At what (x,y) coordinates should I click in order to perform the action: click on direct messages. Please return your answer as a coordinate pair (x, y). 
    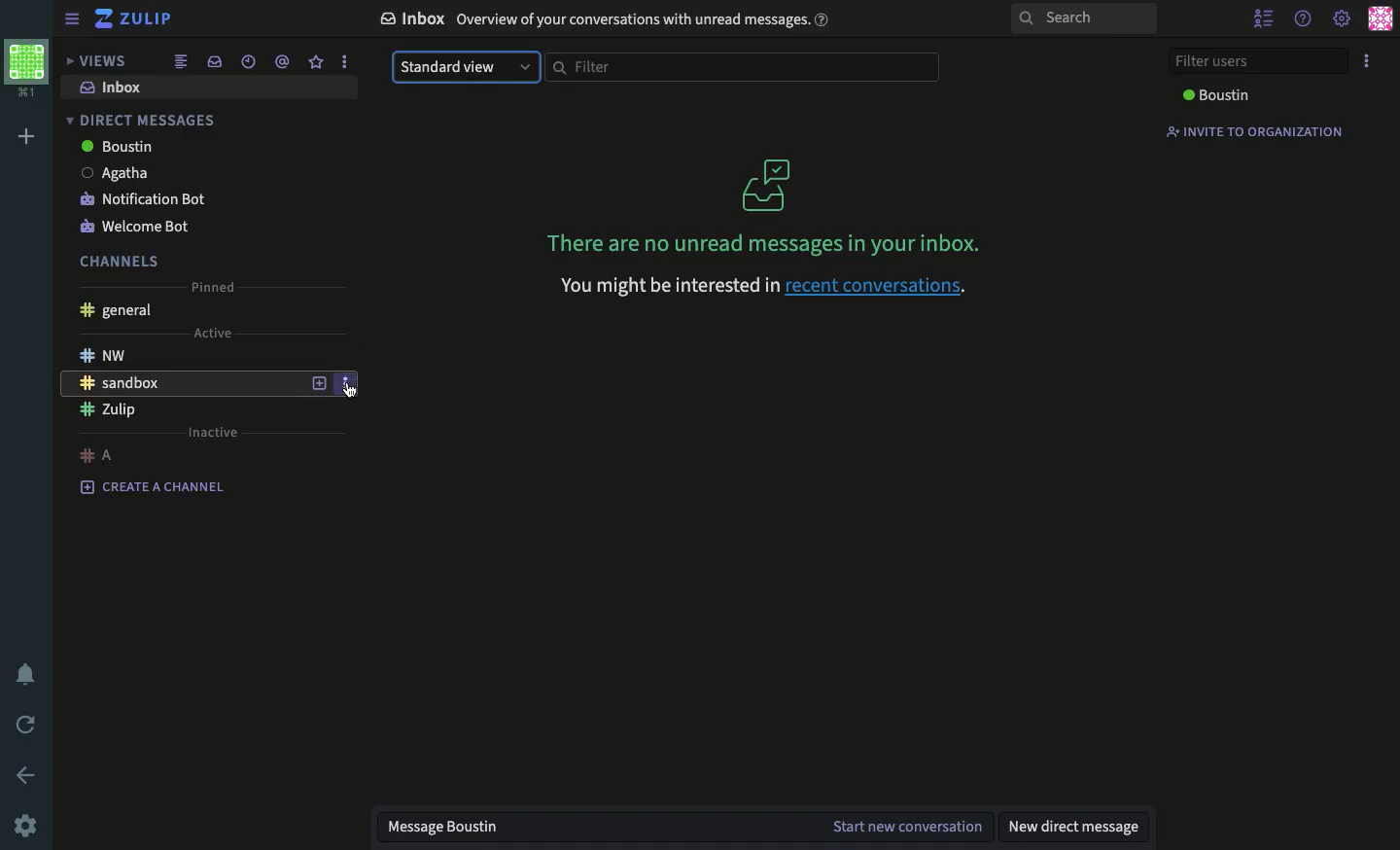
    Looking at the image, I should click on (144, 121).